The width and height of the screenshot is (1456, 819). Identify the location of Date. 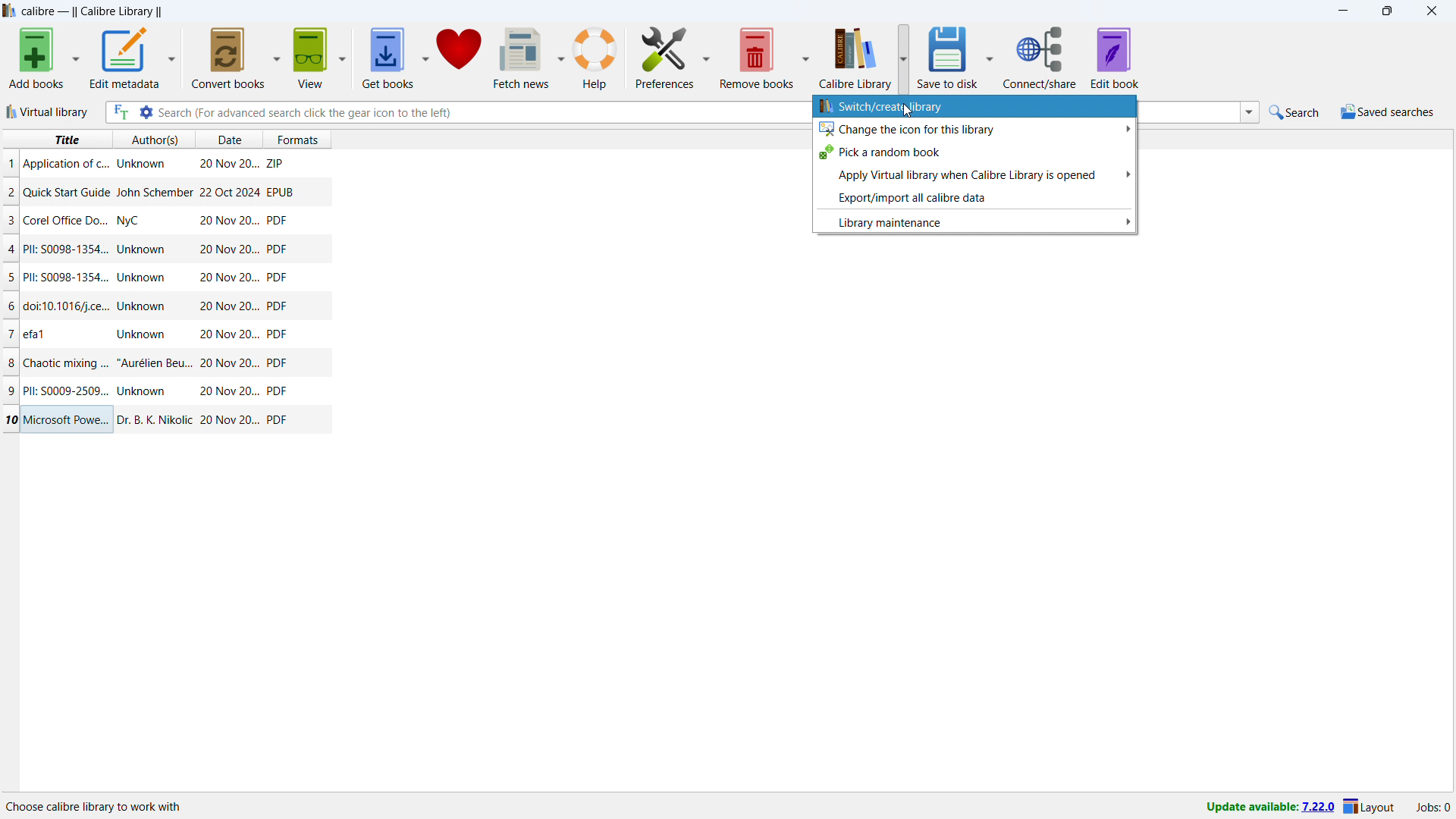
(229, 278).